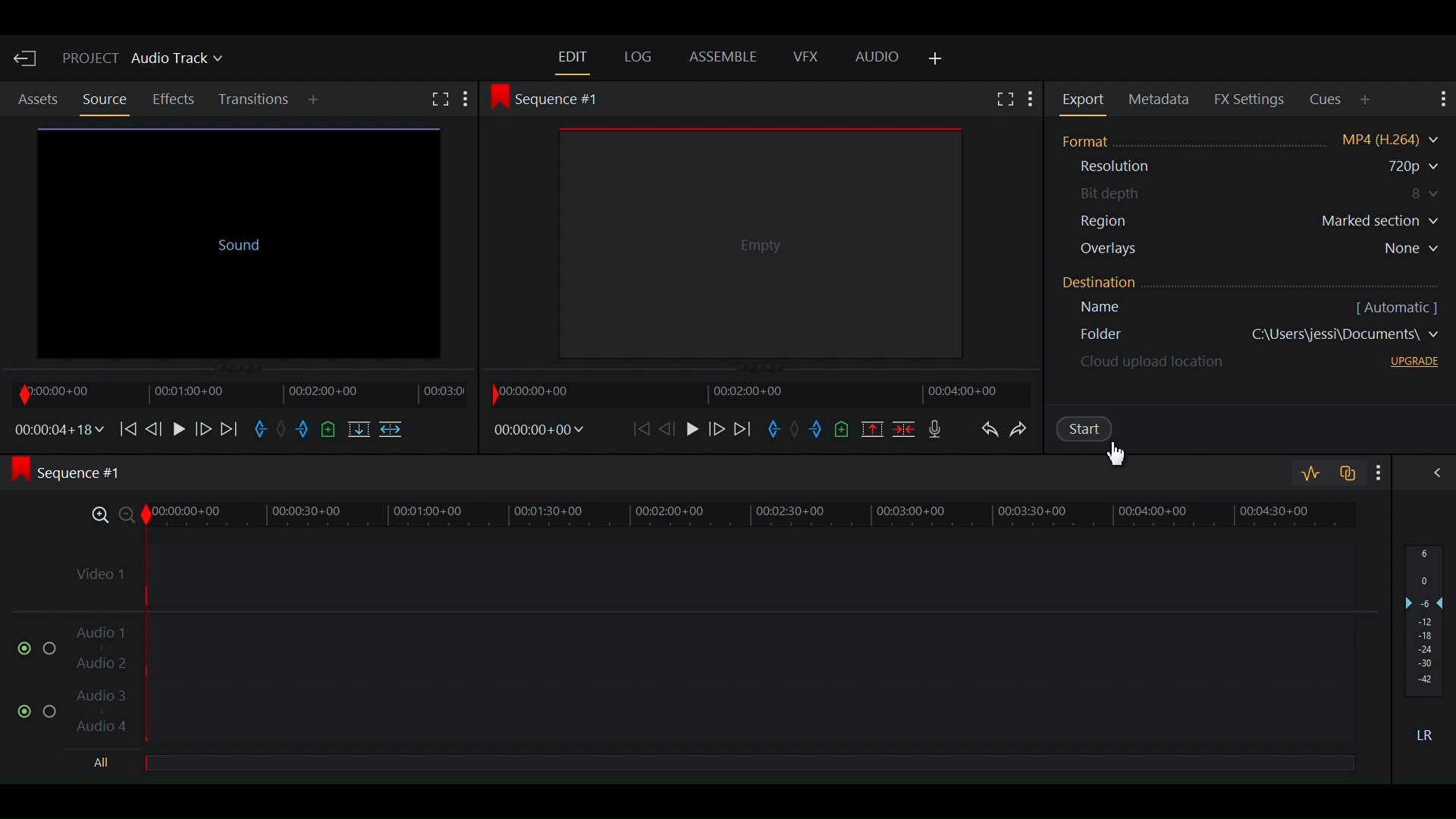 This screenshot has height=819, width=1456. I want to click on Start, so click(1097, 431).